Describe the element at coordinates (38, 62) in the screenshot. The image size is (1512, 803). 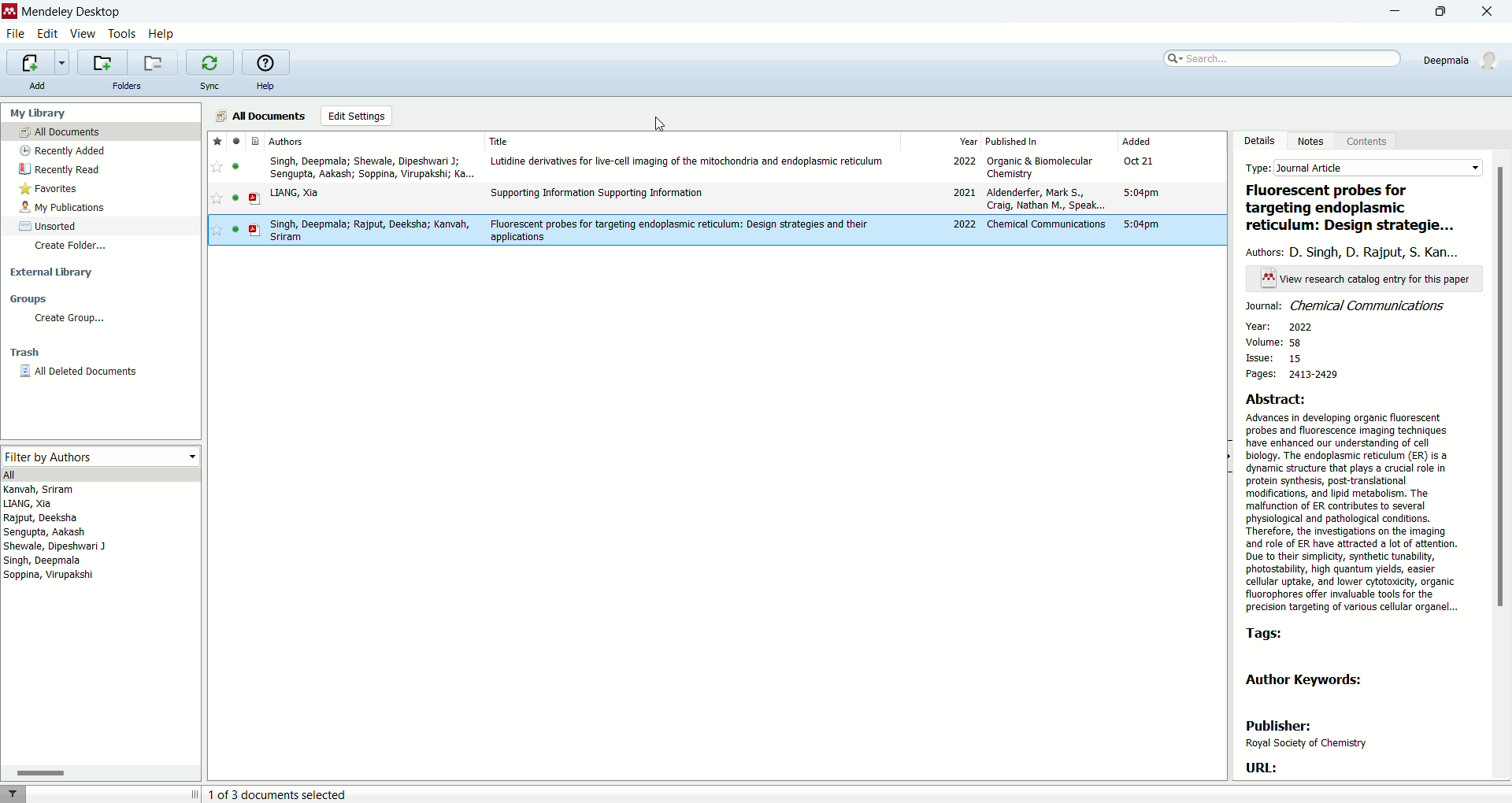
I see `import` at that location.